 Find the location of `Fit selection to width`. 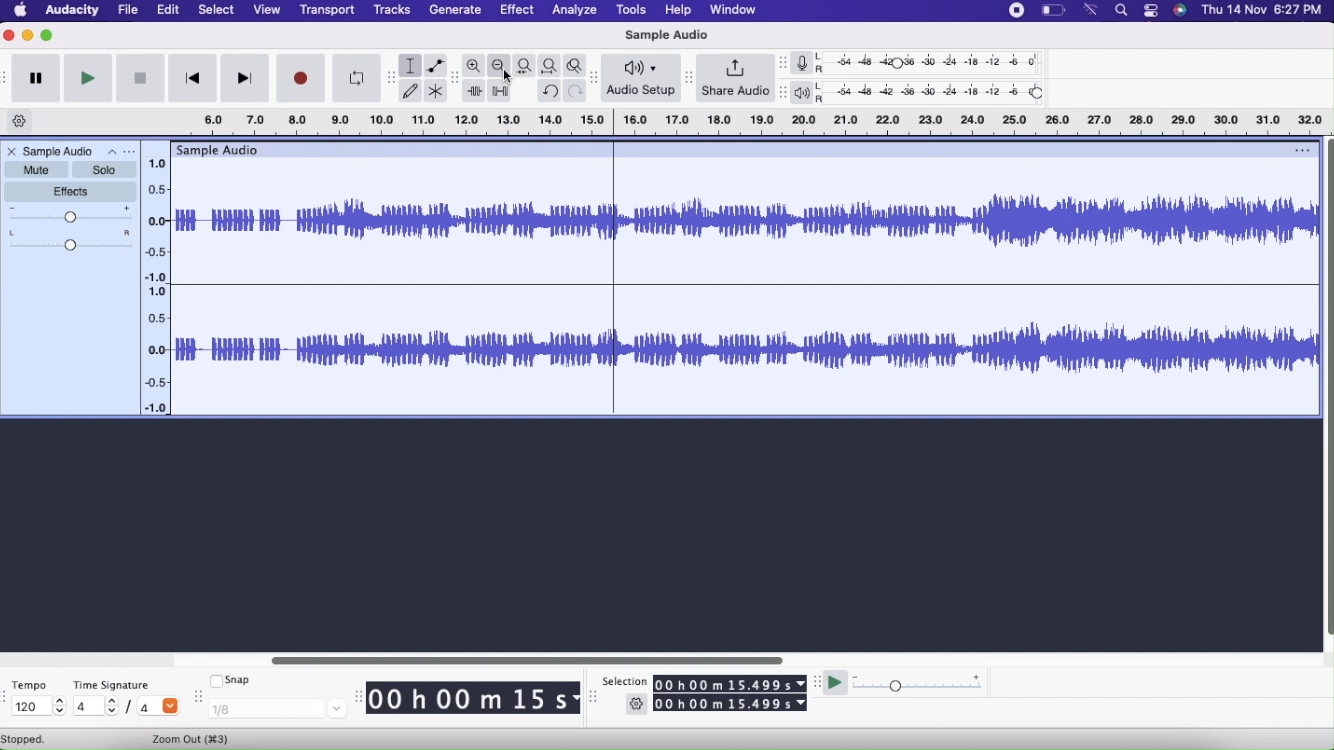

Fit selection to width is located at coordinates (526, 66).